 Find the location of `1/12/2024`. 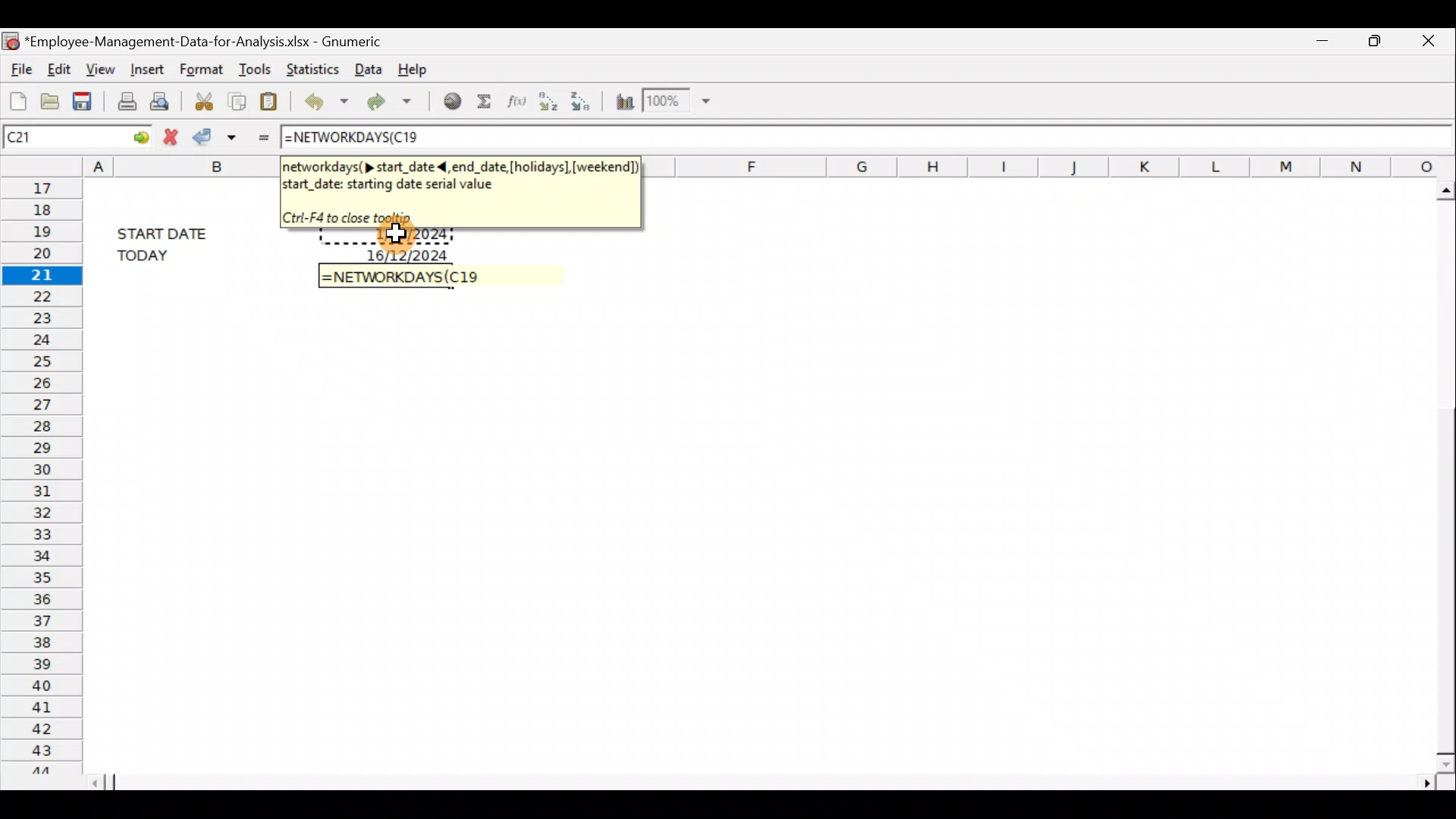

1/12/2024 is located at coordinates (413, 237).